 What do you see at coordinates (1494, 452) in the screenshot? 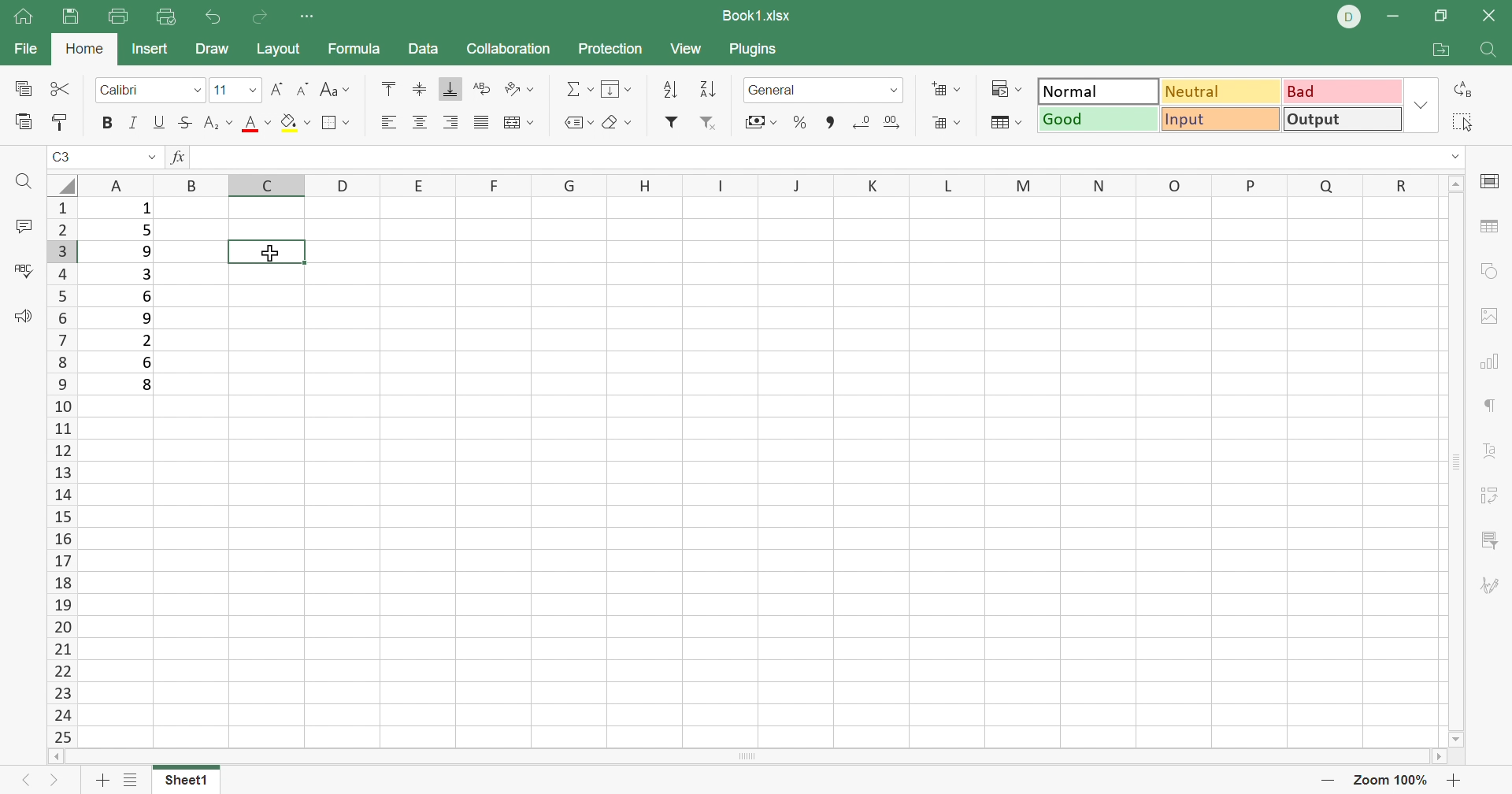
I see `Text art settings` at bounding box center [1494, 452].